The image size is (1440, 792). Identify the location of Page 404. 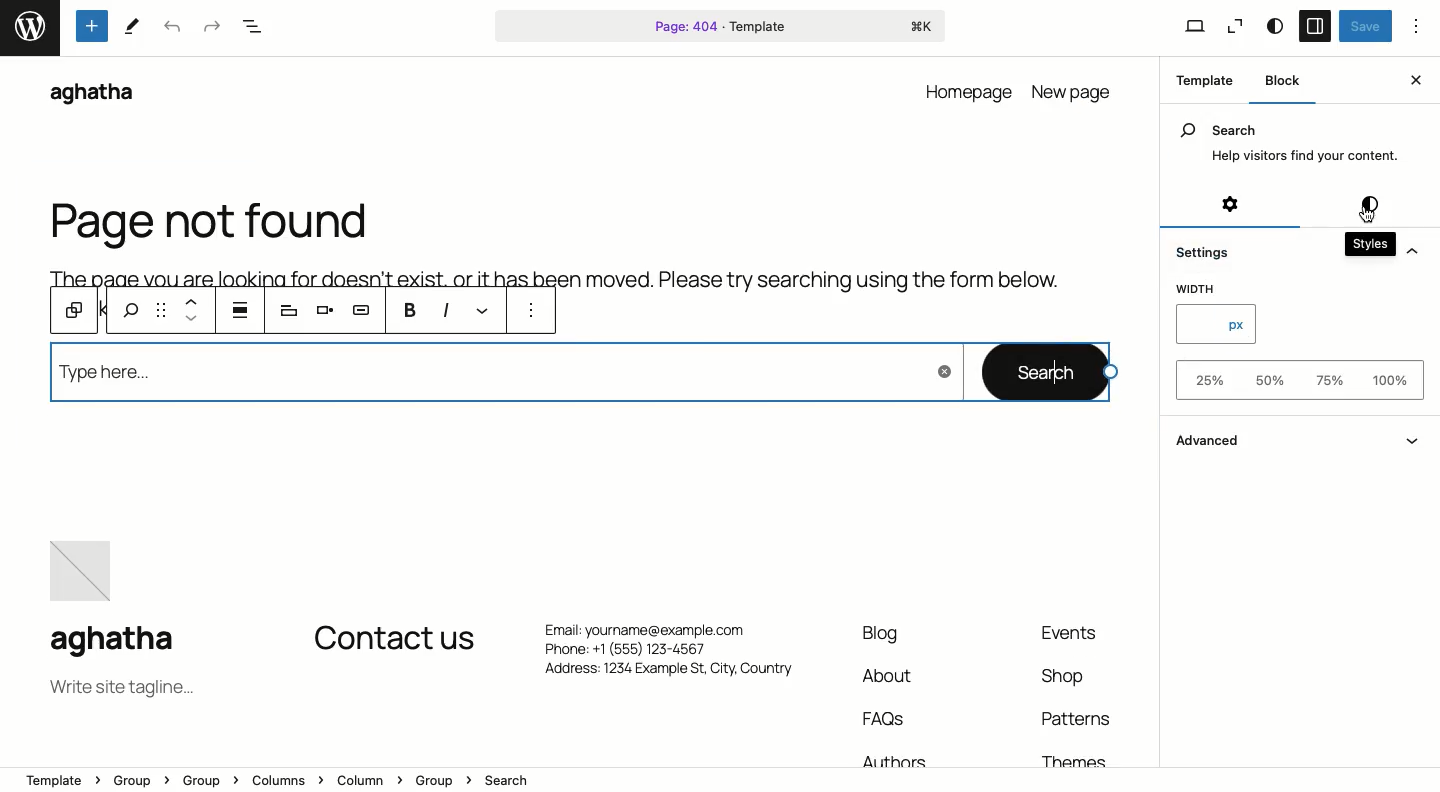
(722, 25).